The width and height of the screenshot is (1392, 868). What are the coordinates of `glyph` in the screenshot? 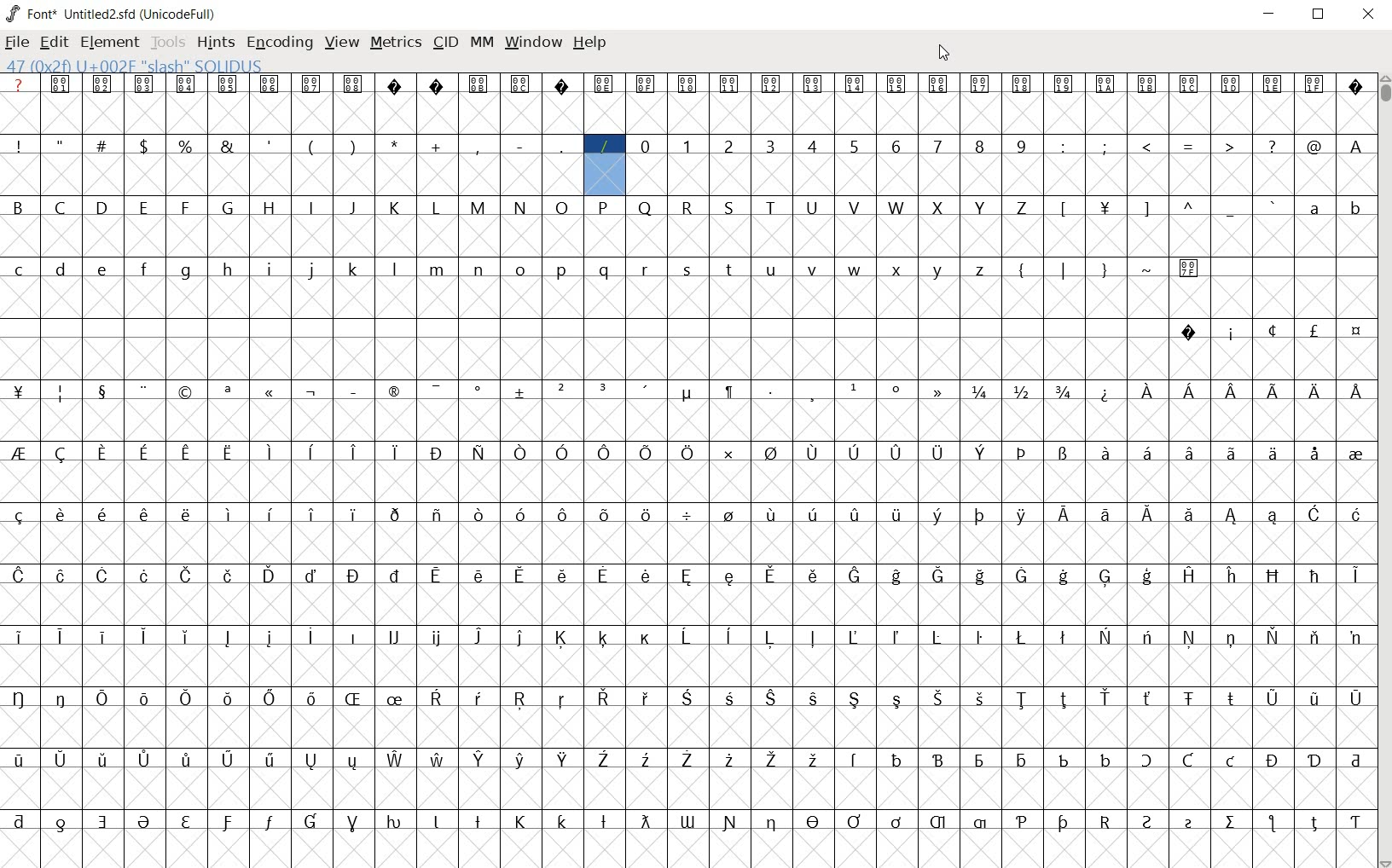 It's located at (1105, 760).